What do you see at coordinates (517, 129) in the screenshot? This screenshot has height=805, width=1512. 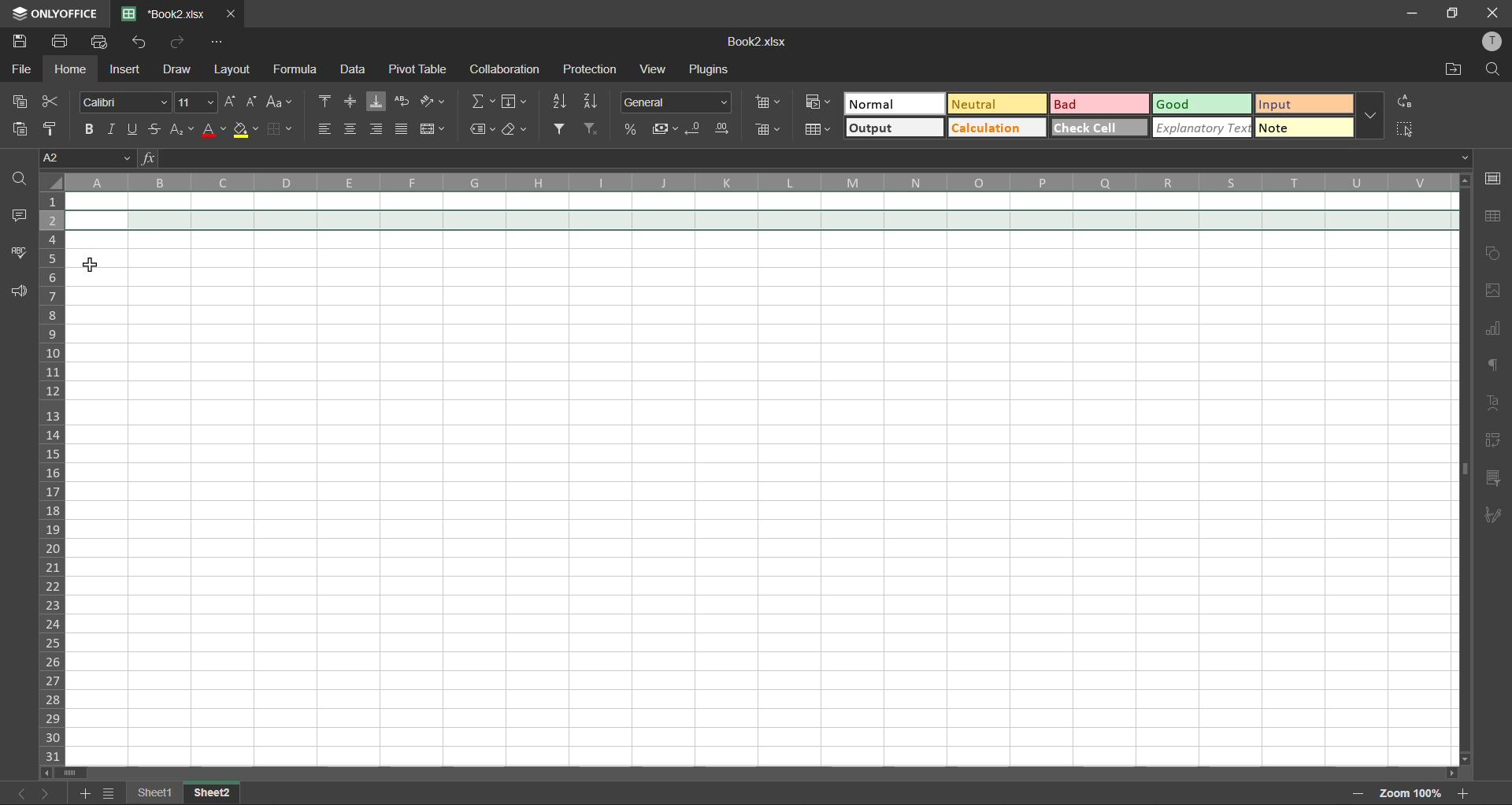 I see `clear` at bounding box center [517, 129].